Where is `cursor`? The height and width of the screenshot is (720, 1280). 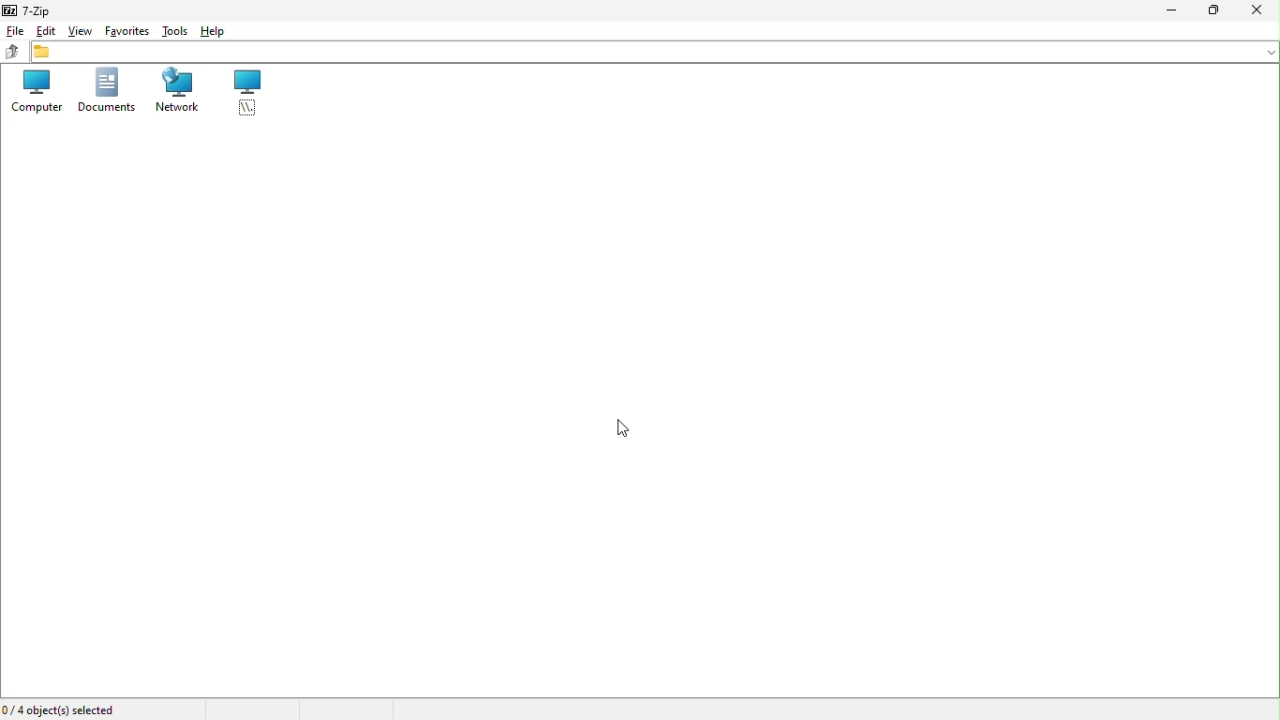 cursor is located at coordinates (619, 426).